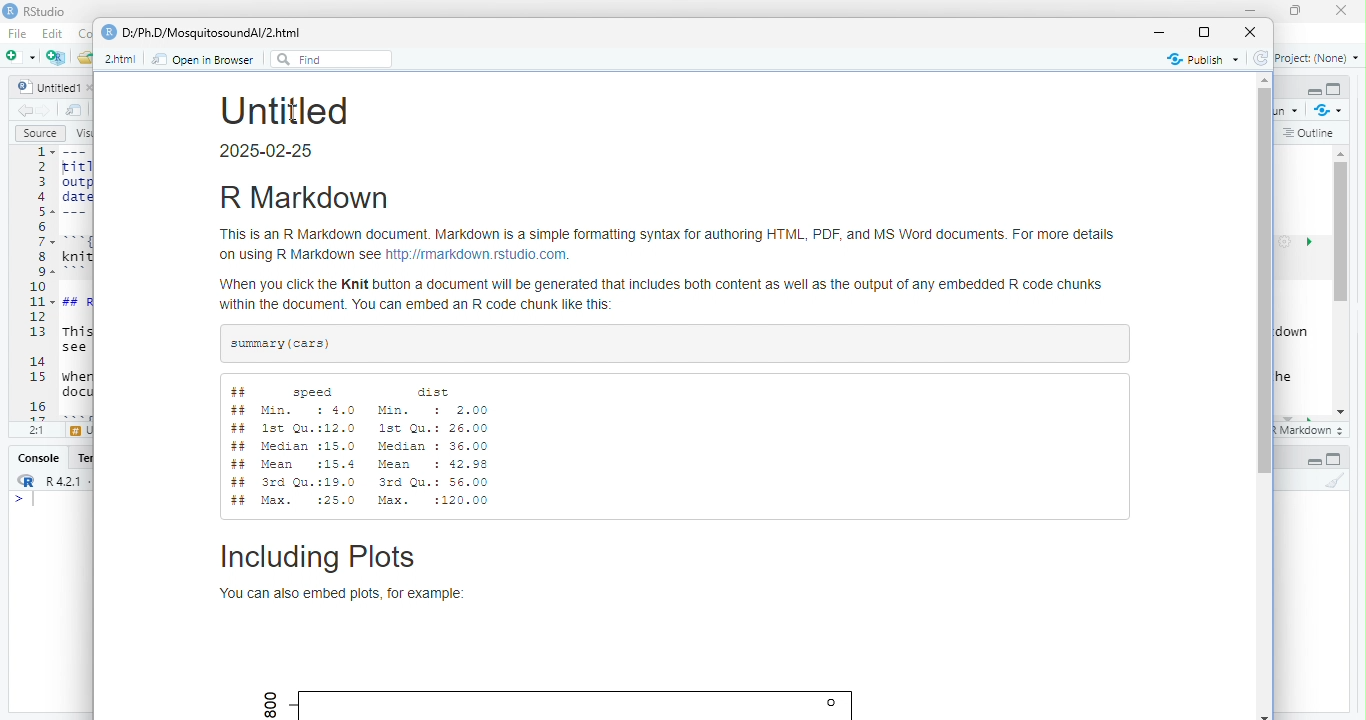 Image resolution: width=1366 pixels, height=720 pixels. What do you see at coordinates (26, 111) in the screenshot?
I see `backward` at bounding box center [26, 111].